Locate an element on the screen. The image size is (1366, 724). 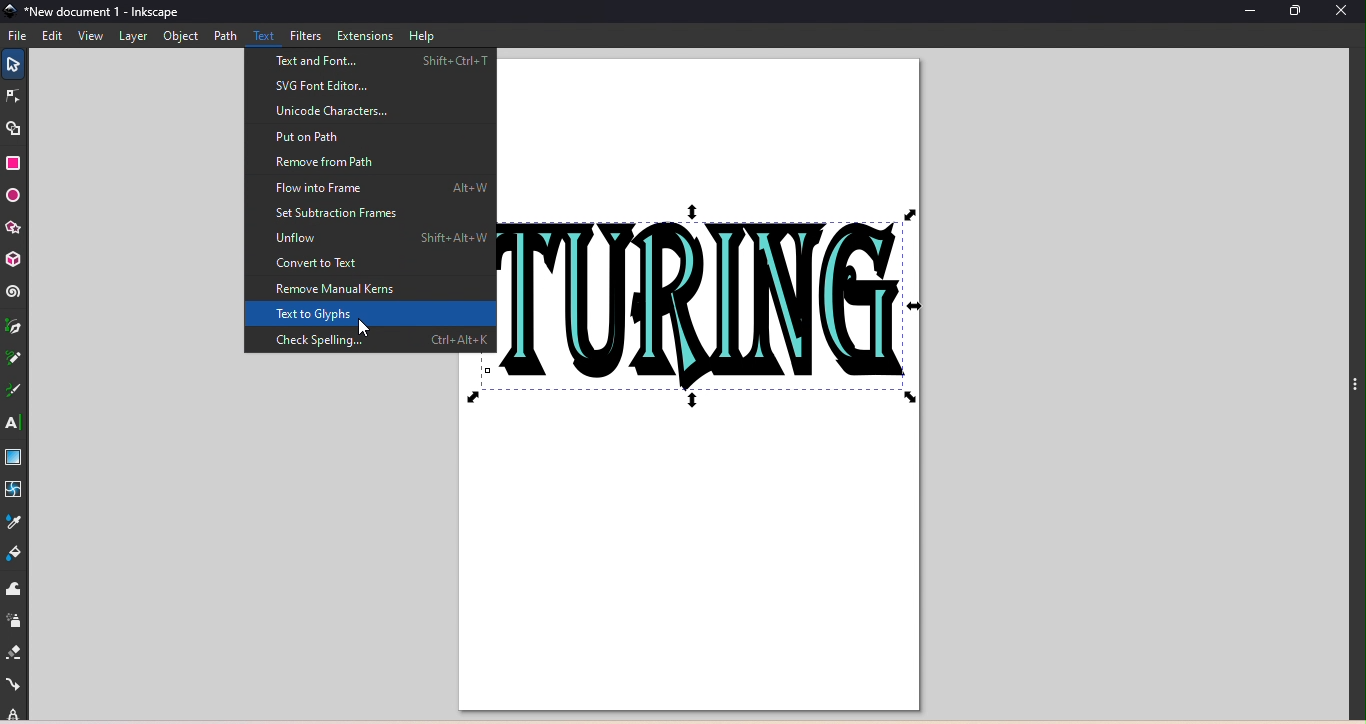
Selector tool is located at coordinates (11, 62).